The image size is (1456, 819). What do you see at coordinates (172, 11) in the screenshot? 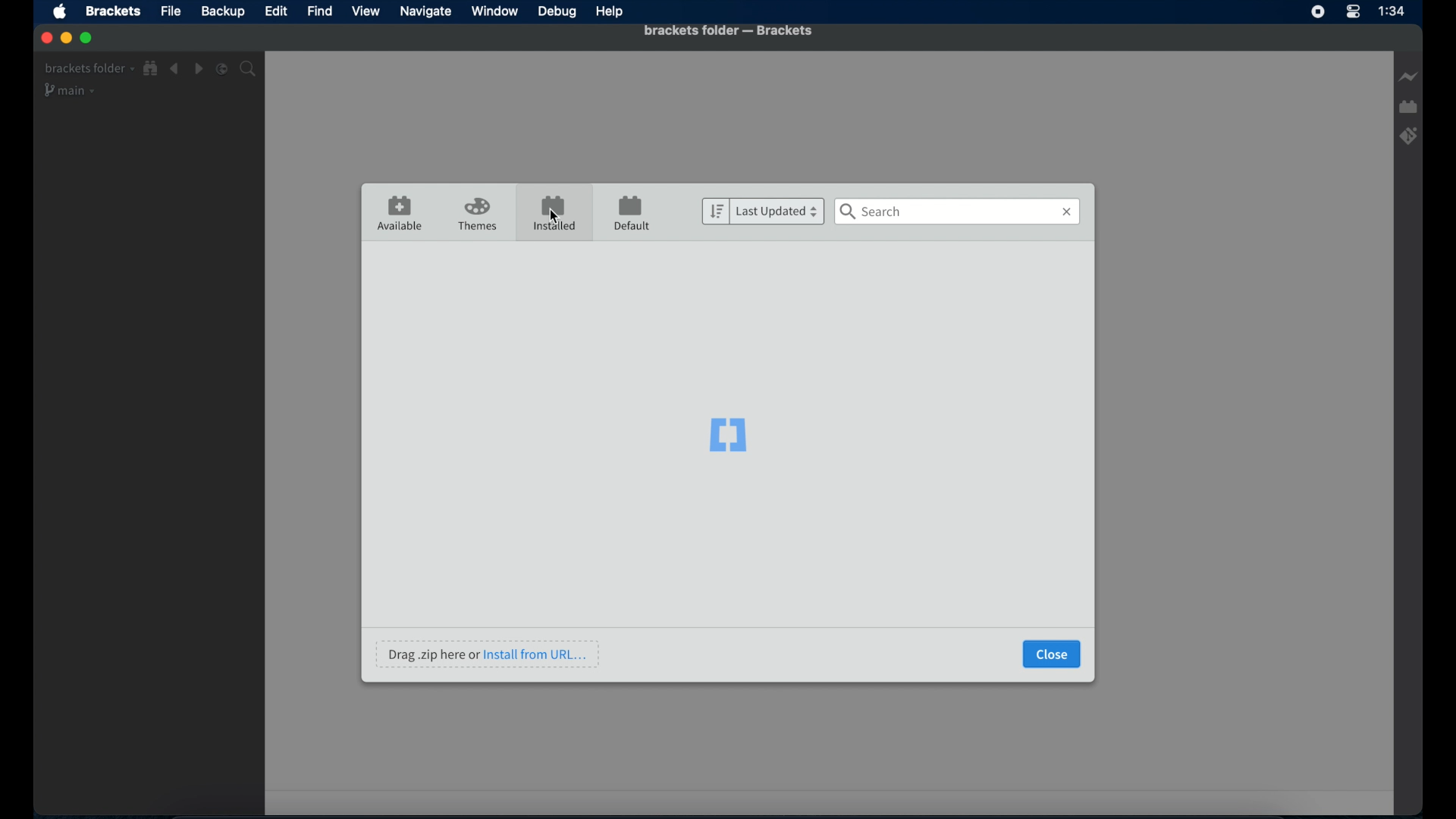
I see `File` at bounding box center [172, 11].